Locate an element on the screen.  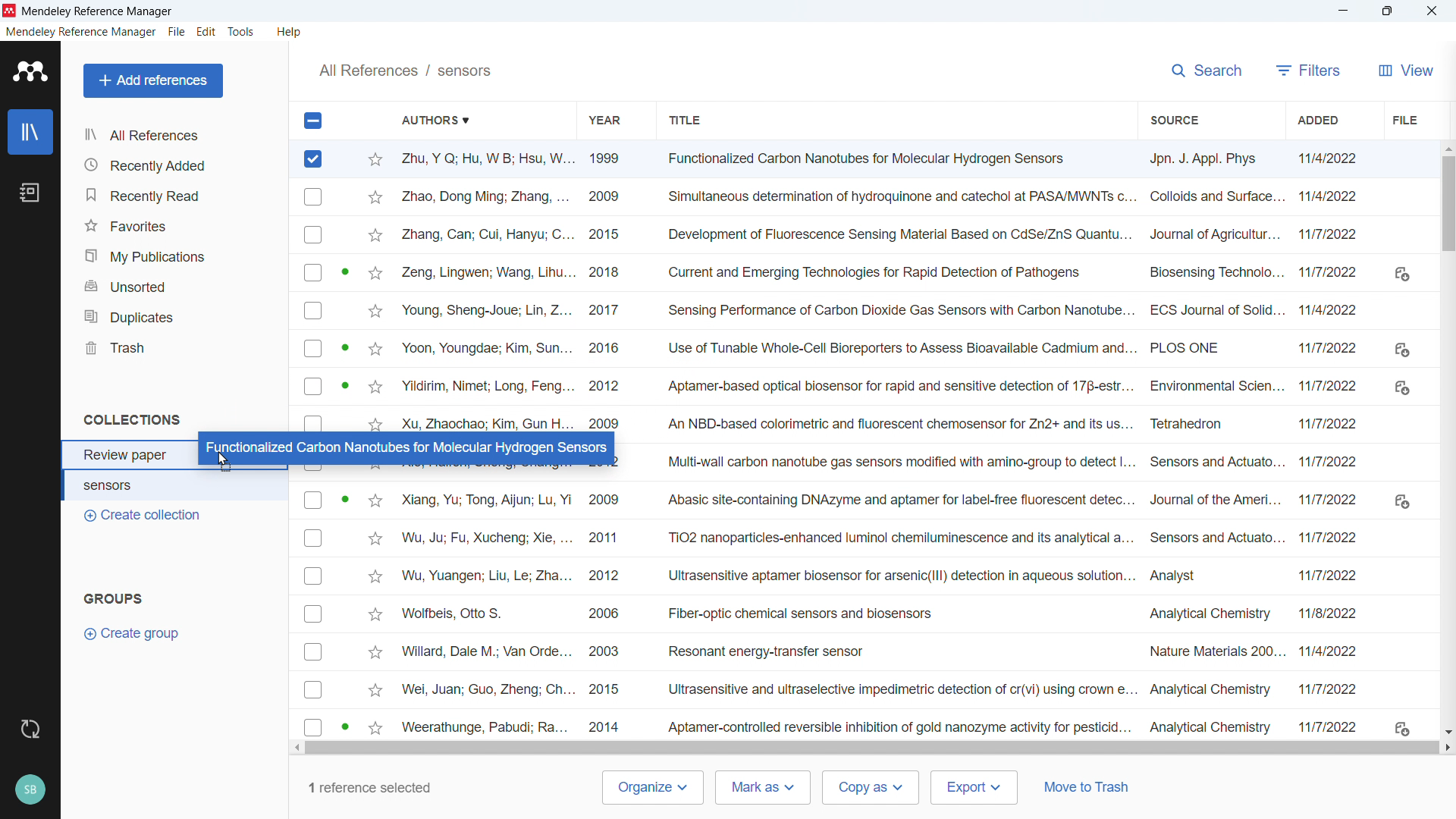
Authors of individual entries  is located at coordinates (485, 611).